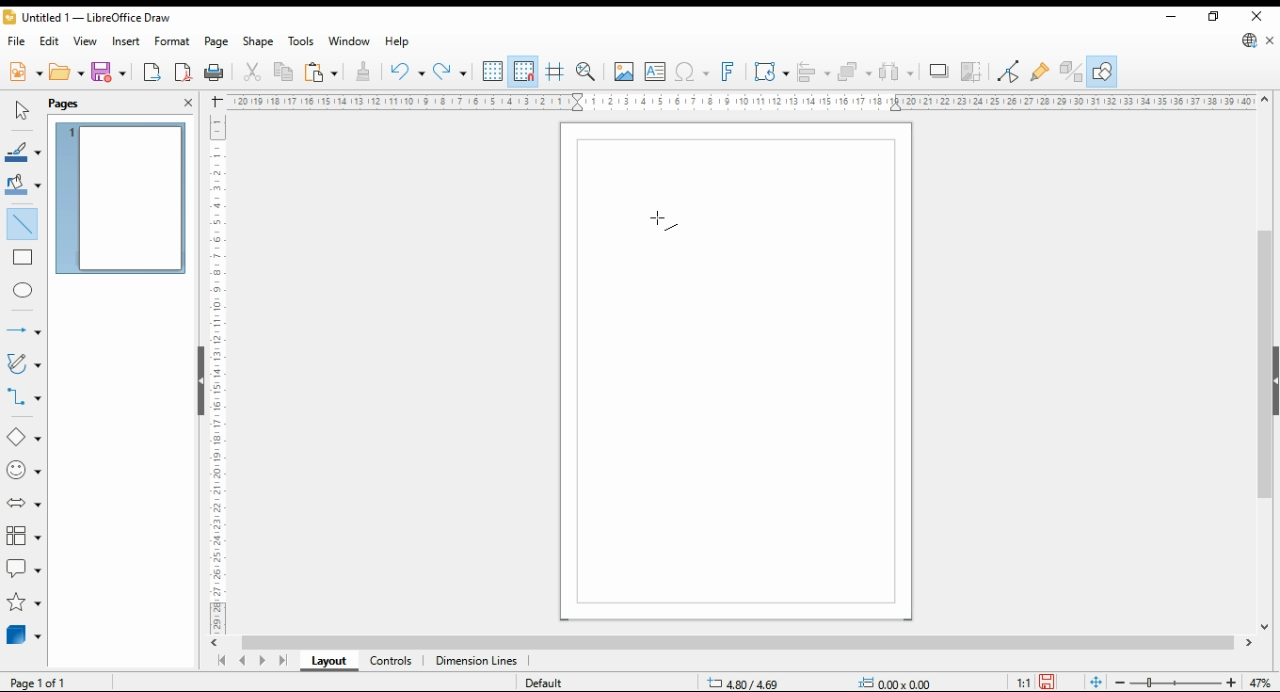 The width and height of the screenshot is (1280, 692). I want to click on zoom factor, so click(1262, 683).